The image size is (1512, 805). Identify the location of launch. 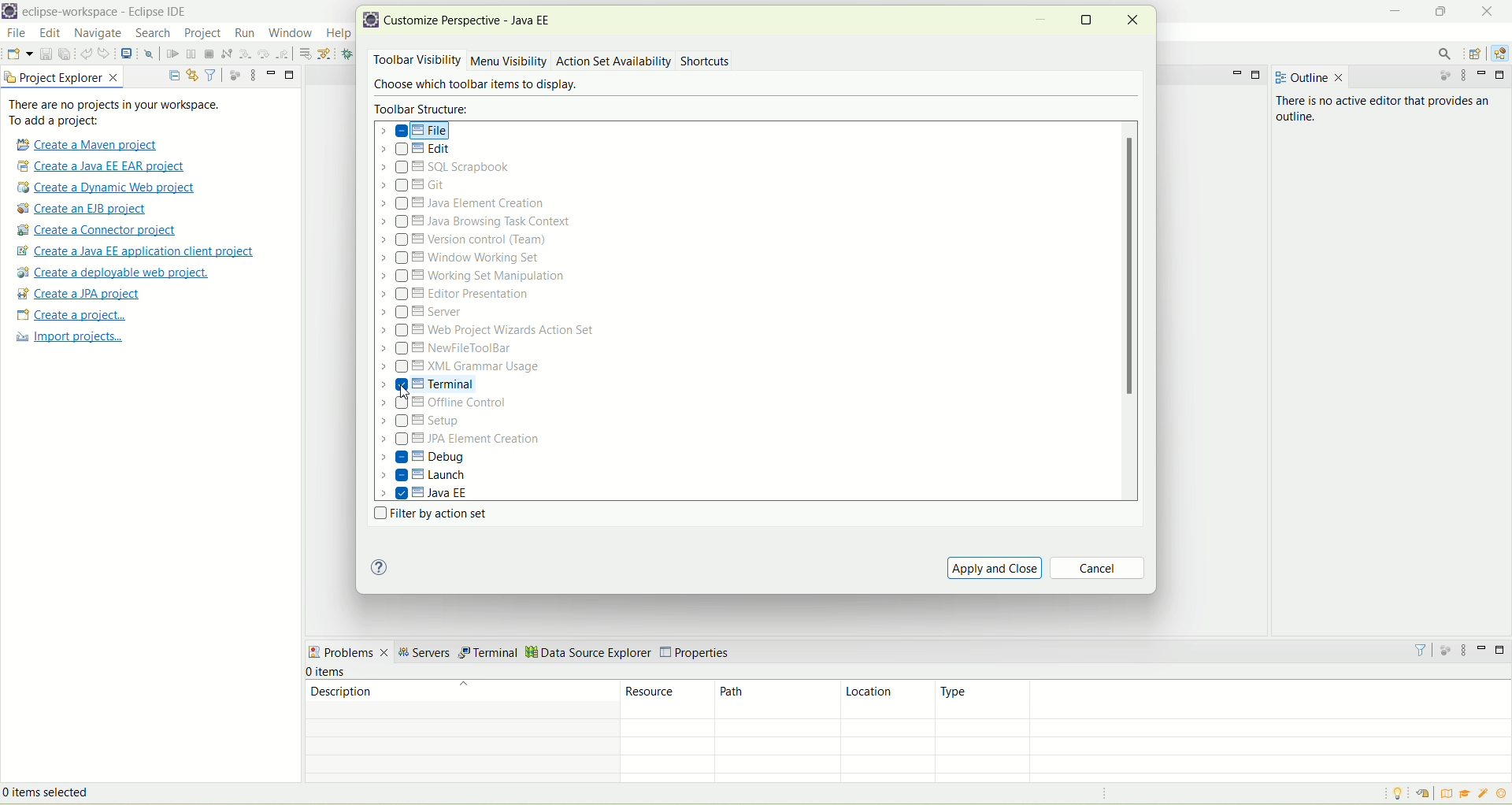
(424, 477).